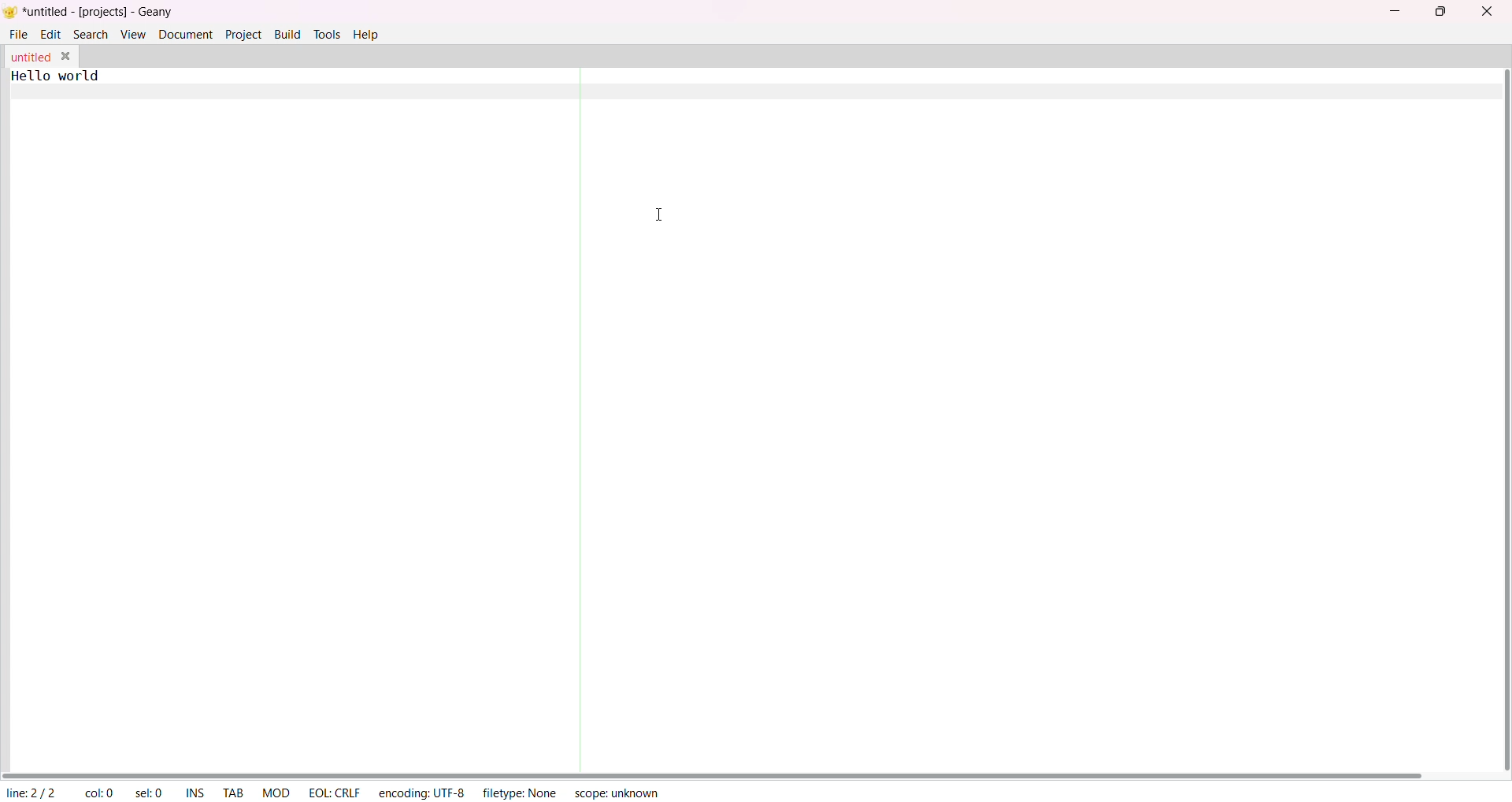  Describe the element at coordinates (421, 792) in the screenshot. I see `encoding: UTF-8` at that location.